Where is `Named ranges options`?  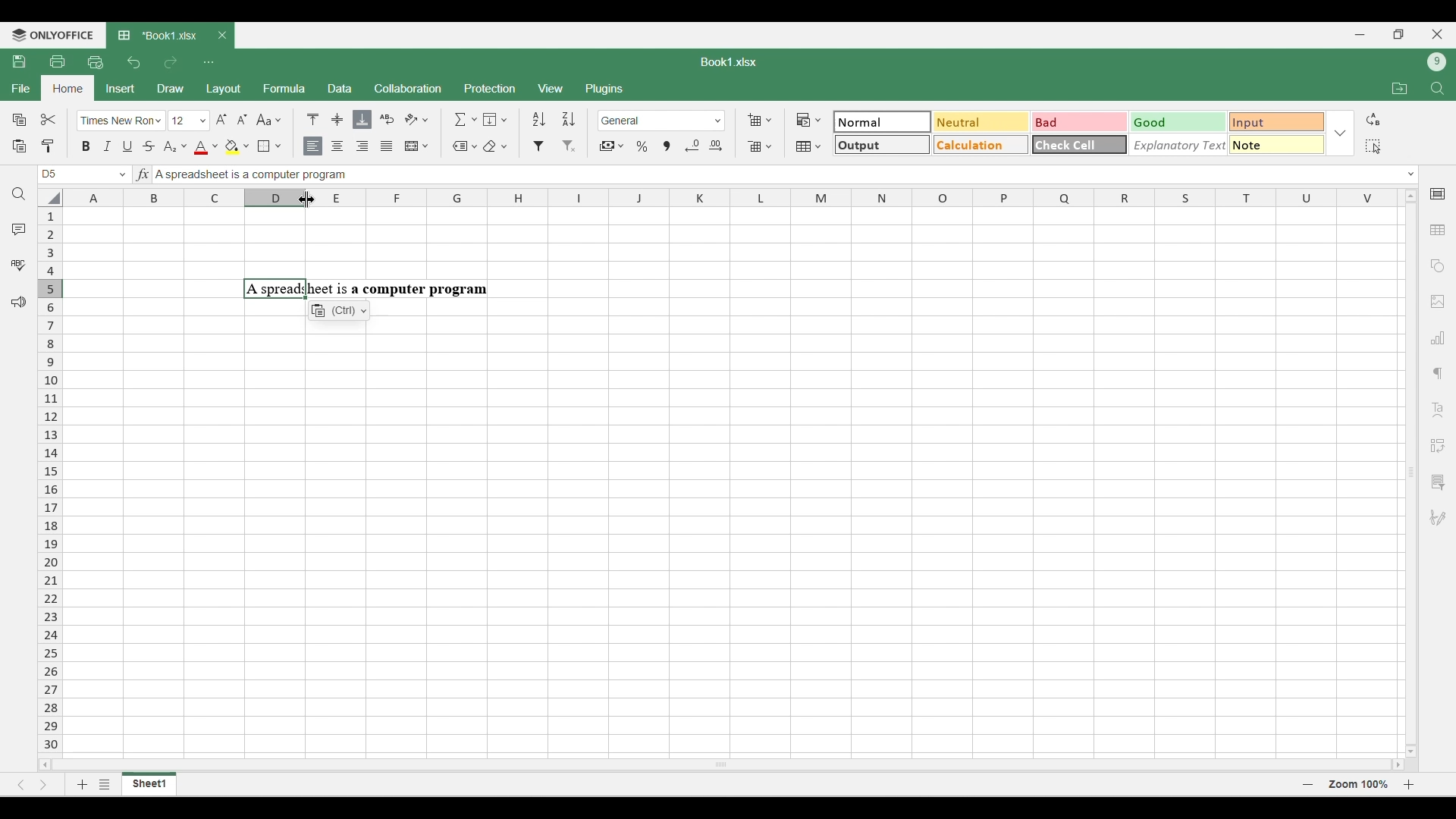
Named ranges options is located at coordinates (465, 147).